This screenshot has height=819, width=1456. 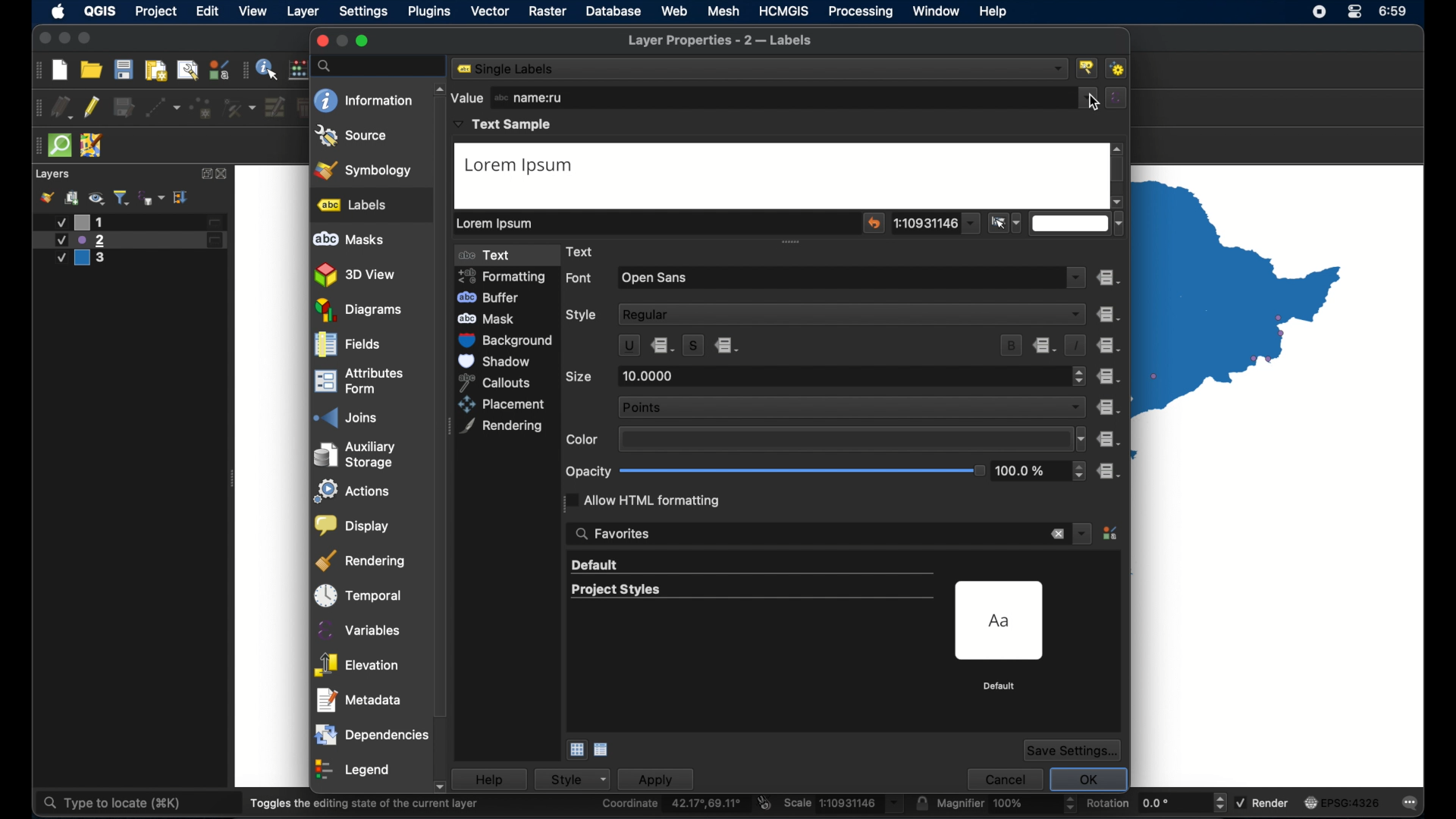 I want to click on mesh, so click(x=723, y=11).